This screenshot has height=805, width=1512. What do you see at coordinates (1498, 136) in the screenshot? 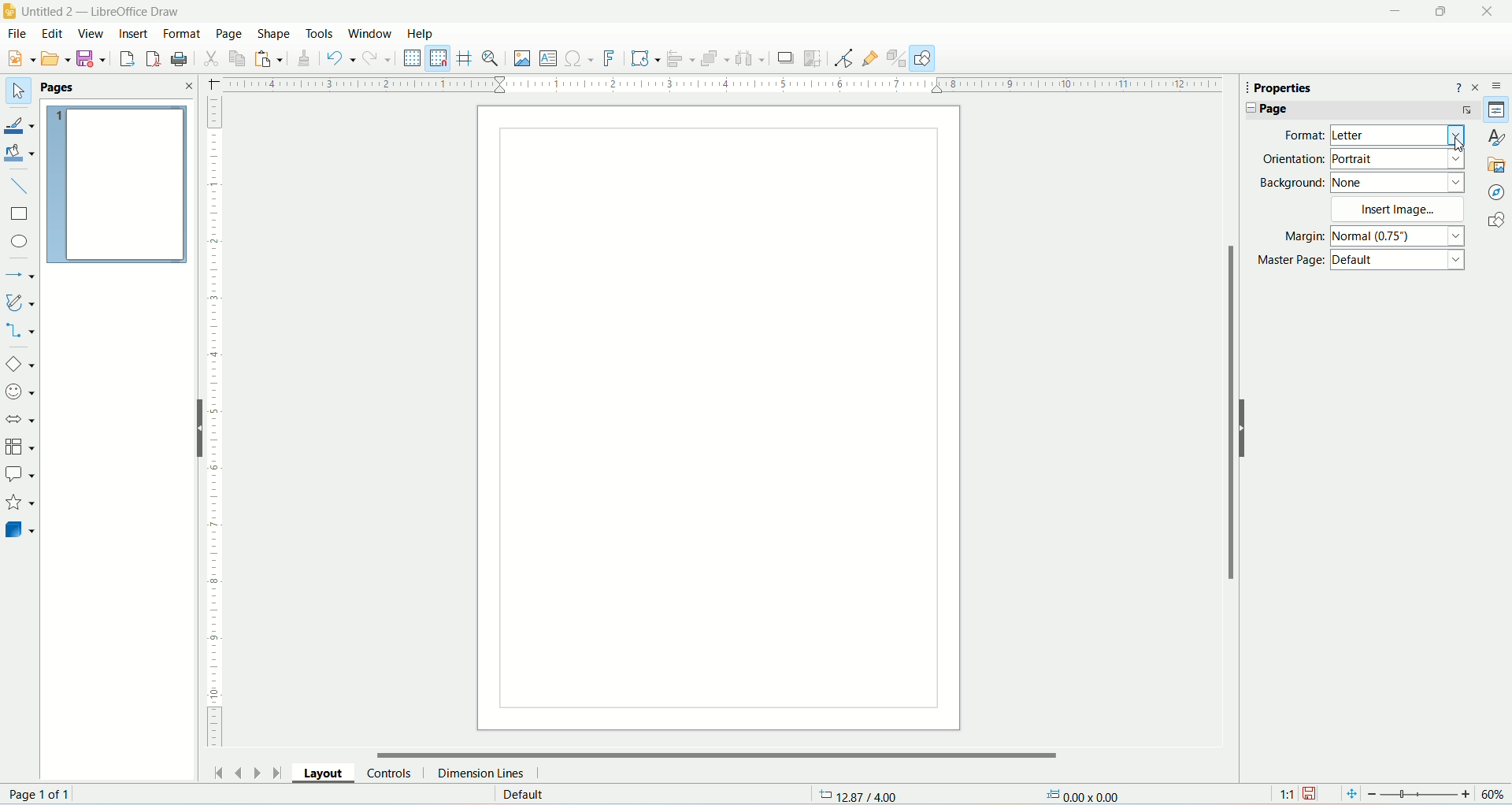
I see `style` at bounding box center [1498, 136].